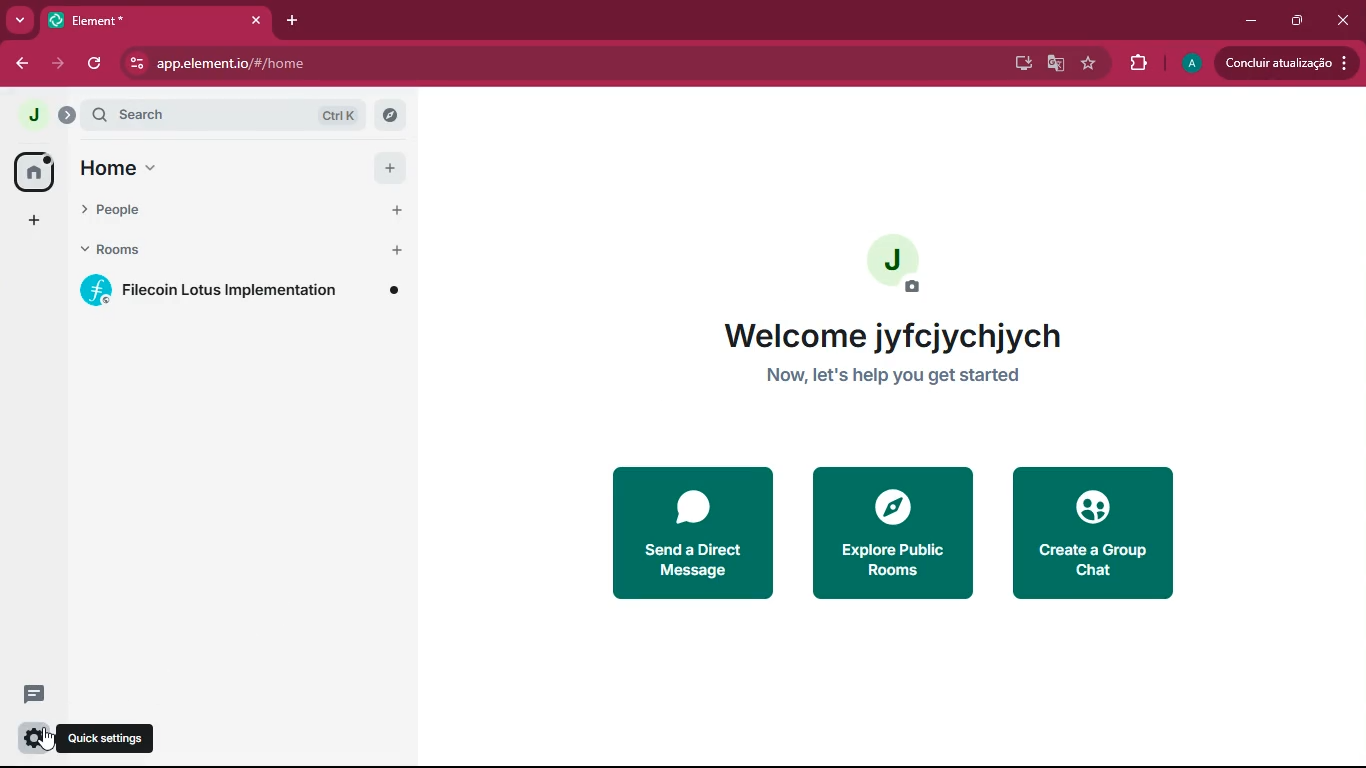 The width and height of the screenshot is (1366, 768). What do you see at coordinates (909, 336) in the screenshot?
I see `welcome jyfcjychjych` at bounding box center [909, 336].